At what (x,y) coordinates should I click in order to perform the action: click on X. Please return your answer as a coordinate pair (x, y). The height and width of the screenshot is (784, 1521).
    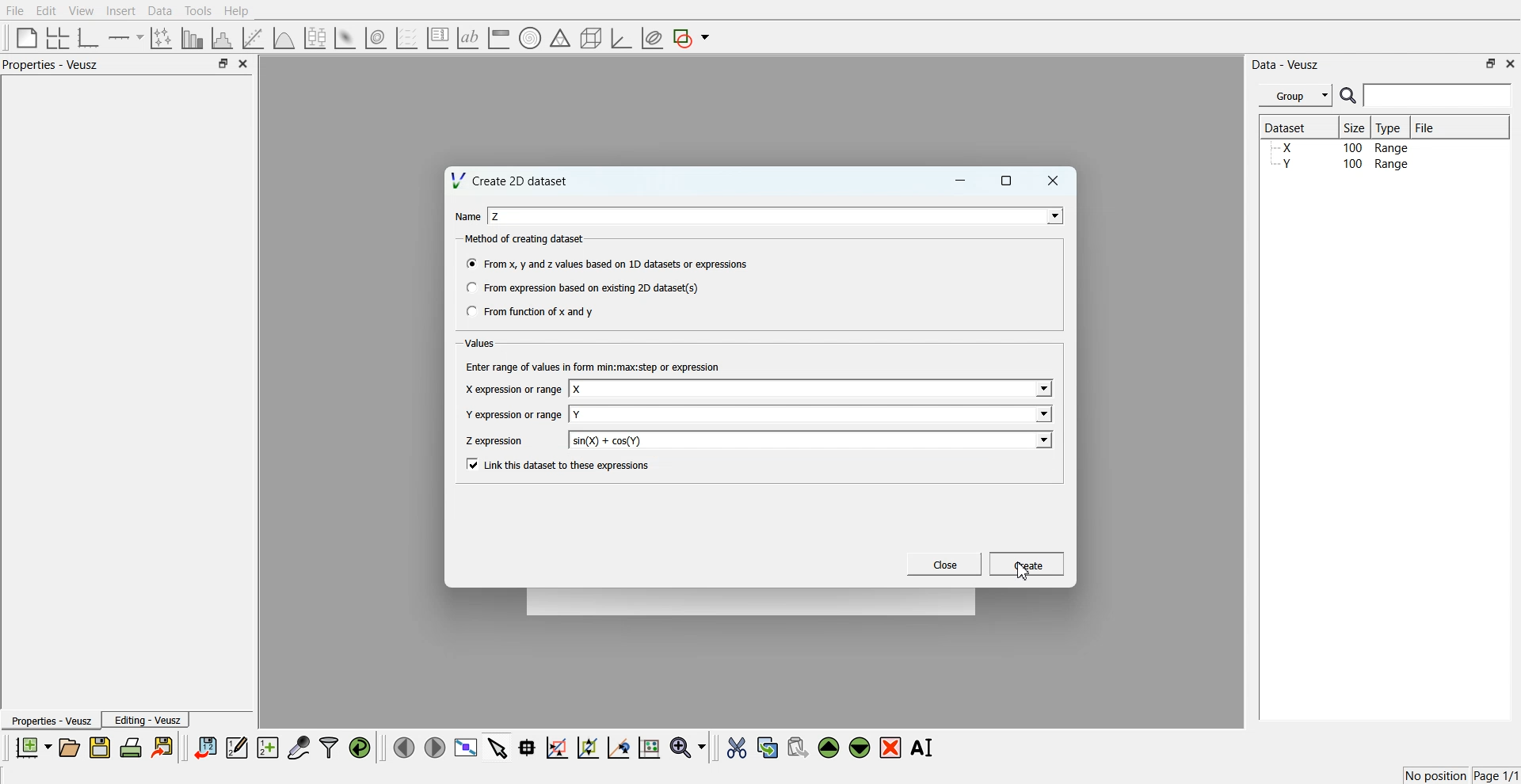
    Looking at the image, I should click on (578, 390).